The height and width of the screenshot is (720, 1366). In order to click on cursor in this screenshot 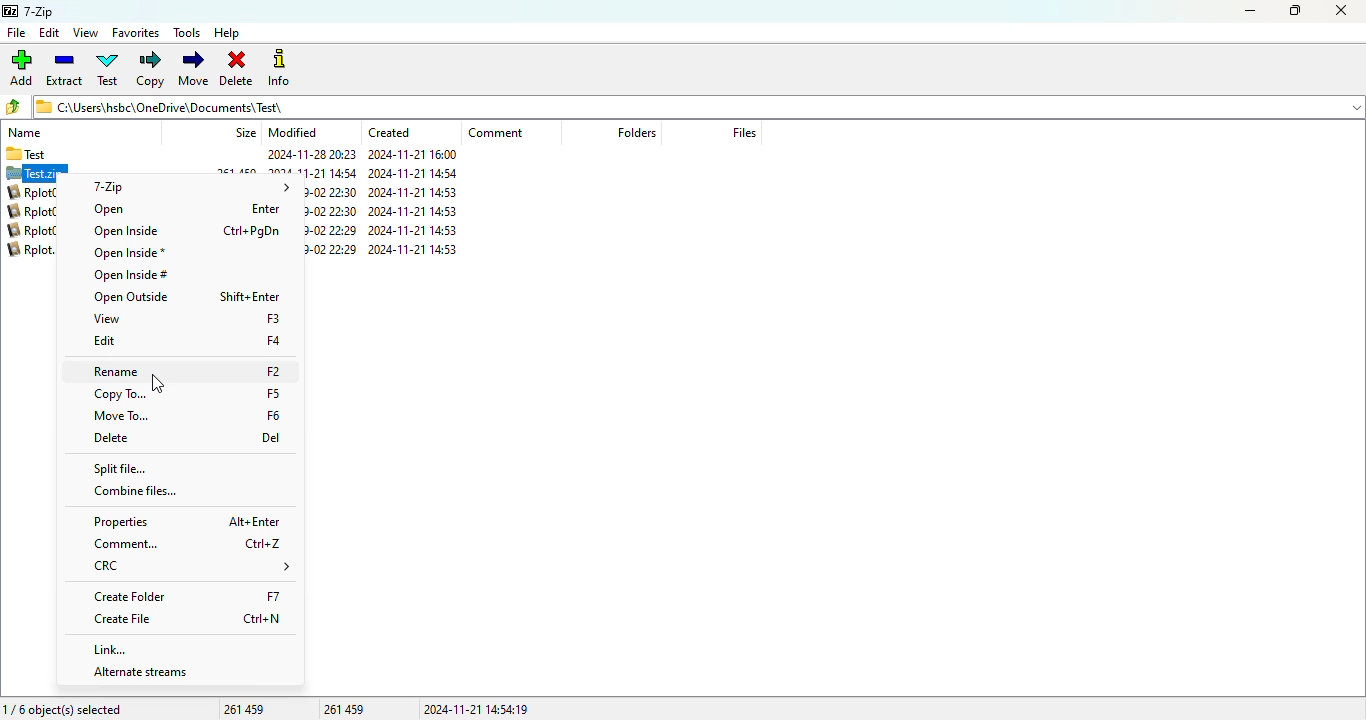, I will do `click(157, 384)`.